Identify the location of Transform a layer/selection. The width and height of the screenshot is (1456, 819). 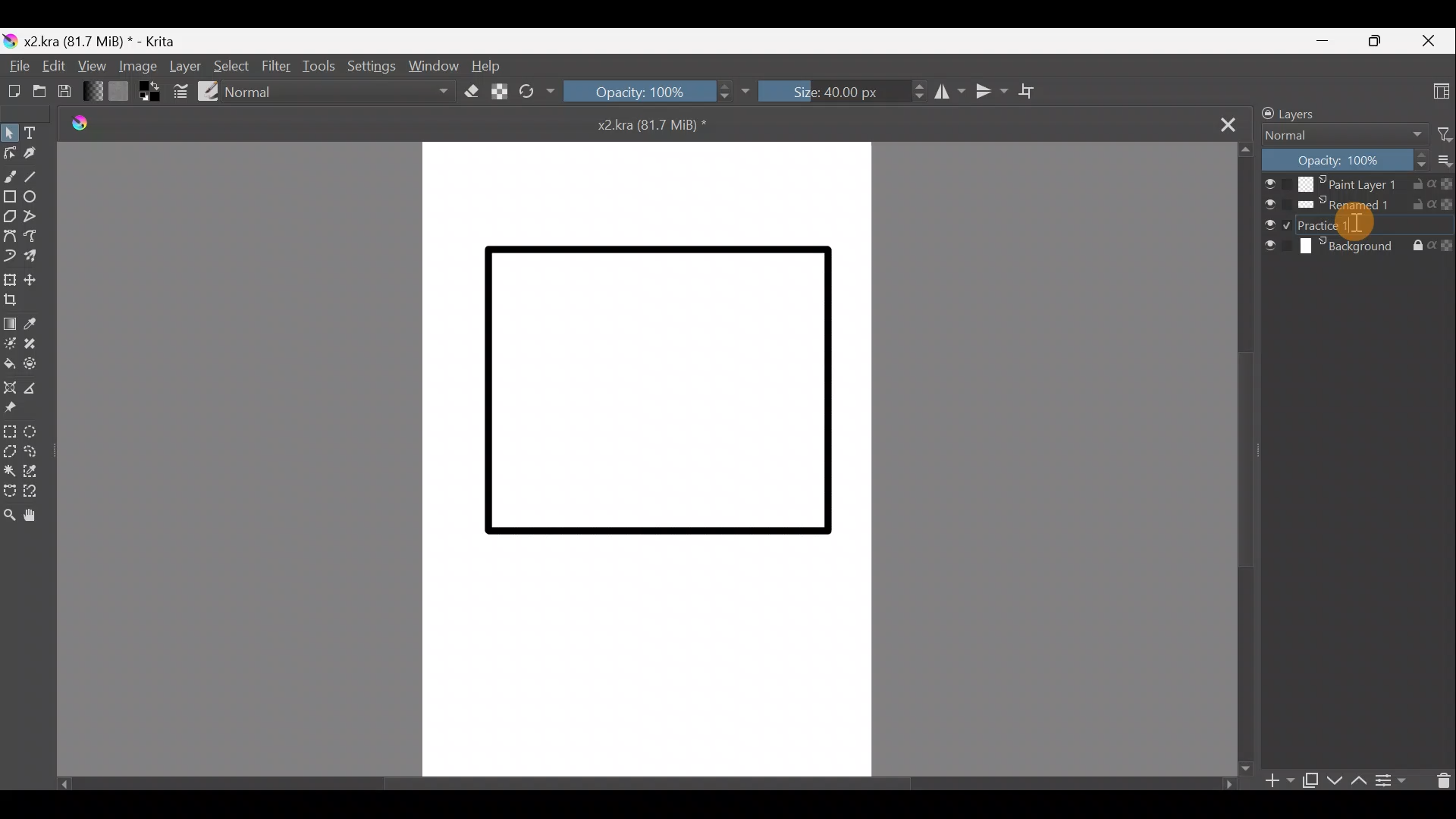
(10, 275).